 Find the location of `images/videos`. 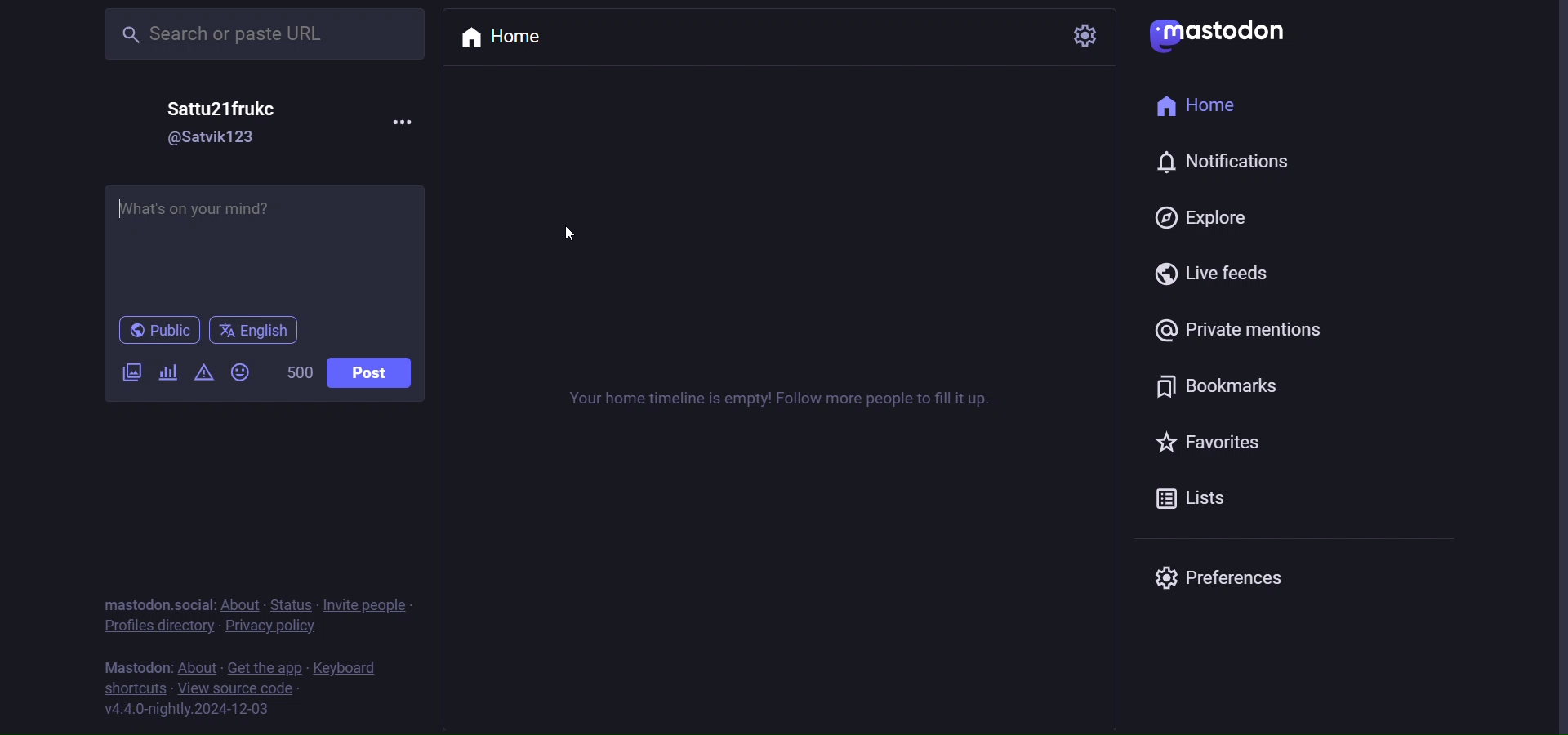

images/videos is located at coordinates (131, 373).